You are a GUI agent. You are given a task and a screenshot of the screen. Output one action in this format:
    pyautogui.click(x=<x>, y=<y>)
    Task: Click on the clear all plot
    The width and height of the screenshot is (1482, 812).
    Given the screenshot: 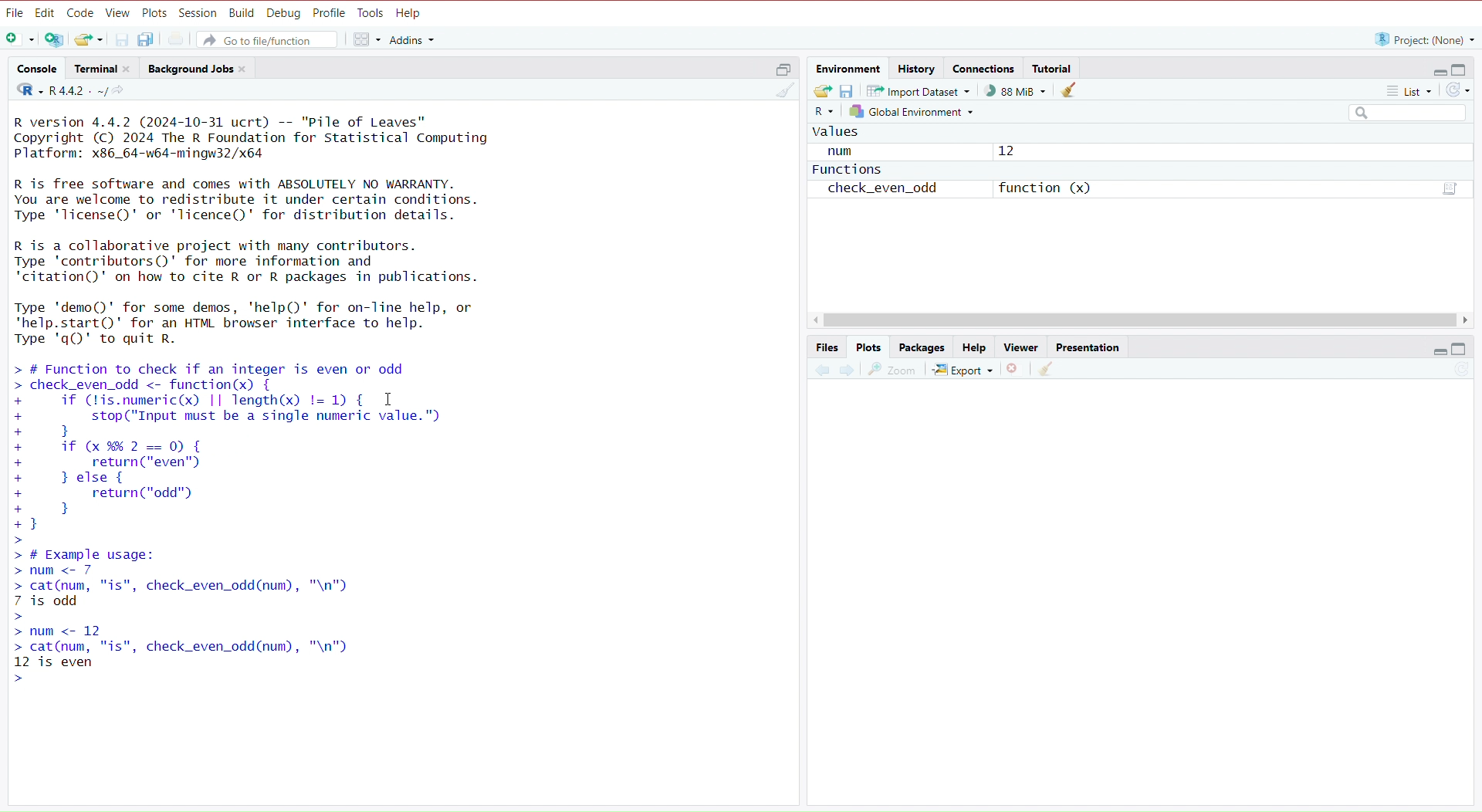 What is the action you would take?
    pyautogui.click(x=1048, y=370)
    